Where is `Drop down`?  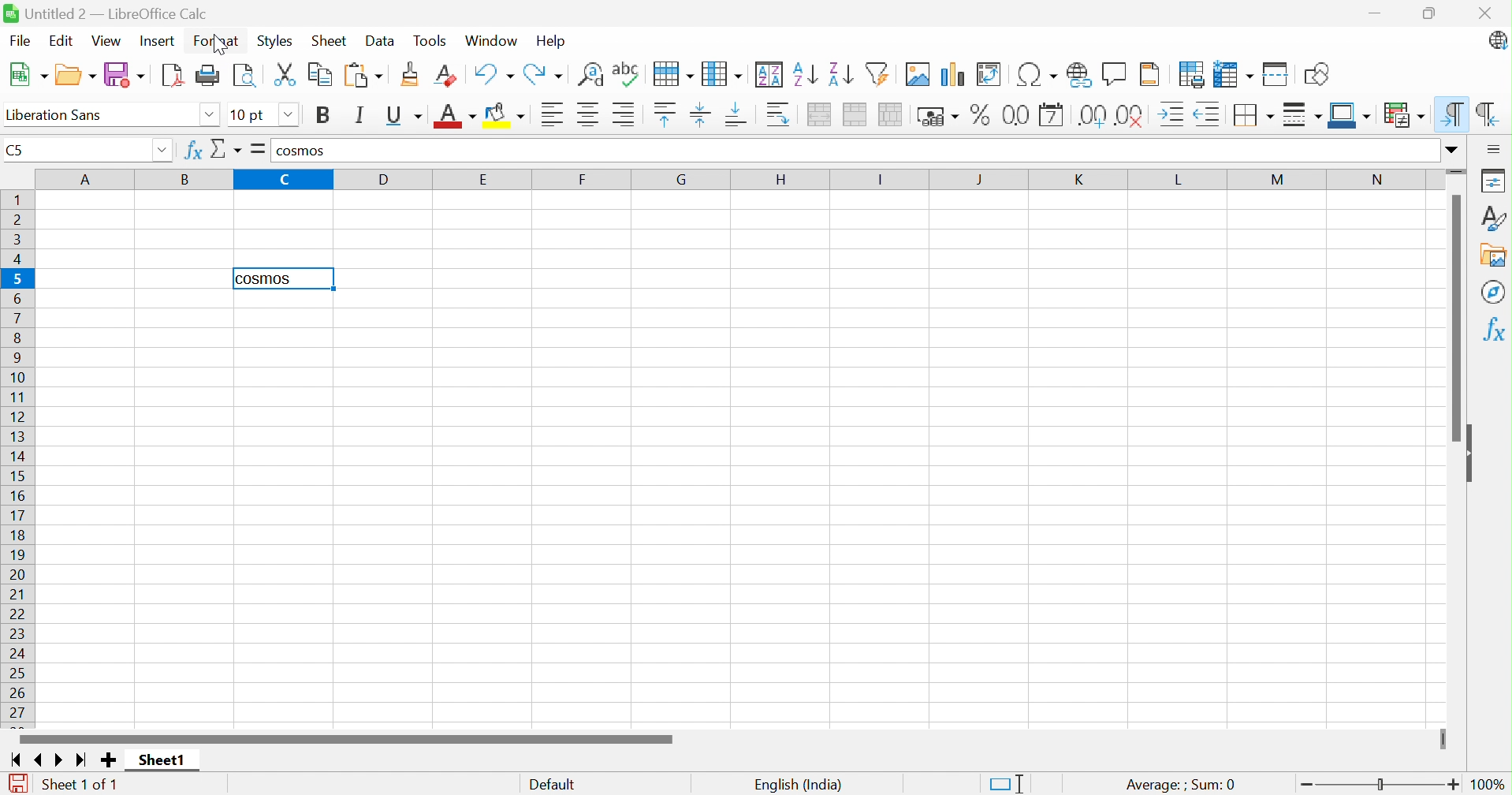
Drop down is located at coordinates (210, 115).